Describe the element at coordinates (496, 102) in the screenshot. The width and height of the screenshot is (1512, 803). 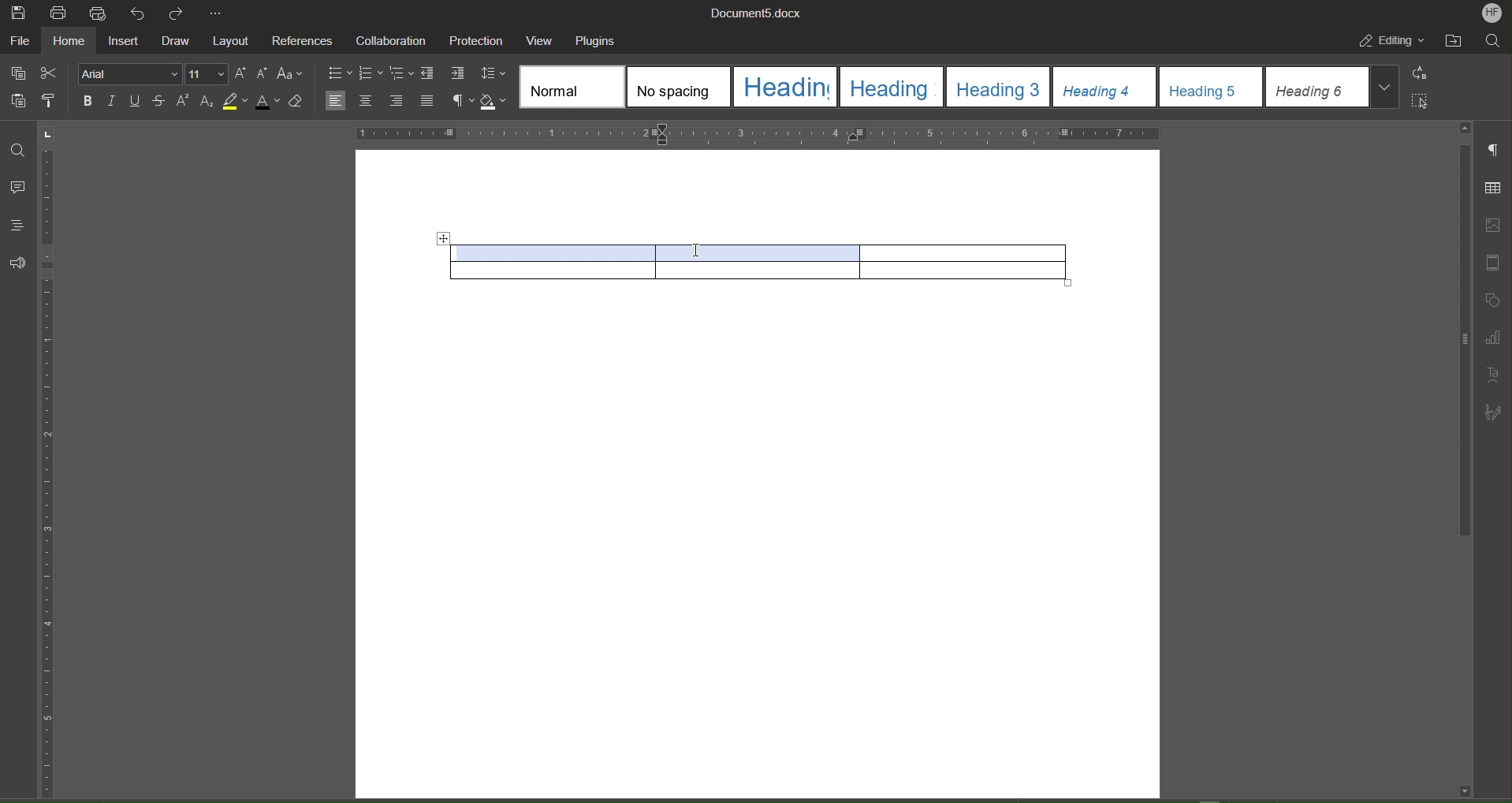
I see `Shadow` at that location.